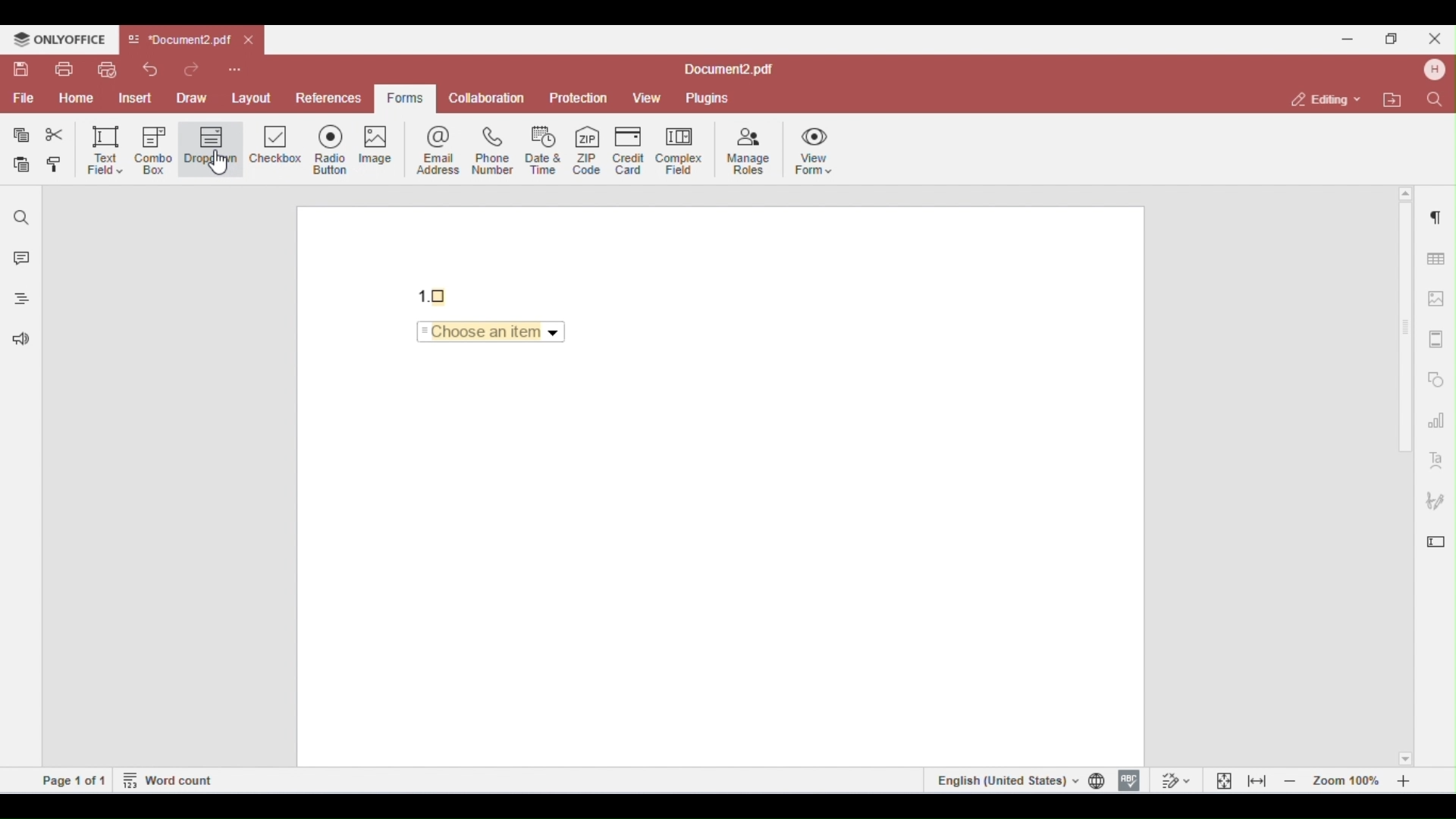 The width and height of the screenshot is (1456, 819). What do you see at coordinates (1436, 419) in the screenshot?
I see `chart settings` at bounding box center [1436, 419].